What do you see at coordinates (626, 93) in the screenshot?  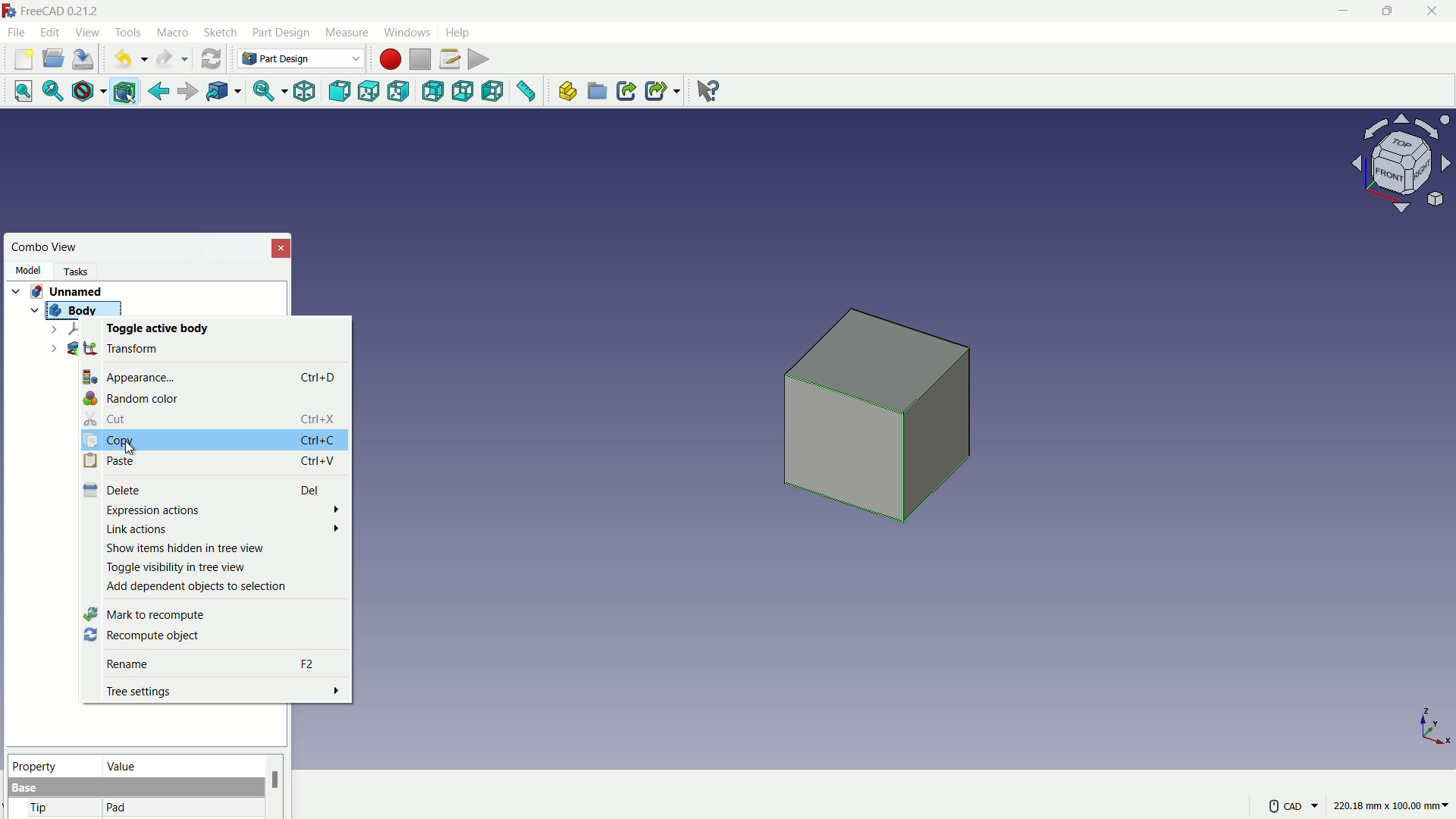 I see `make link` at bounding box center [626, 93].